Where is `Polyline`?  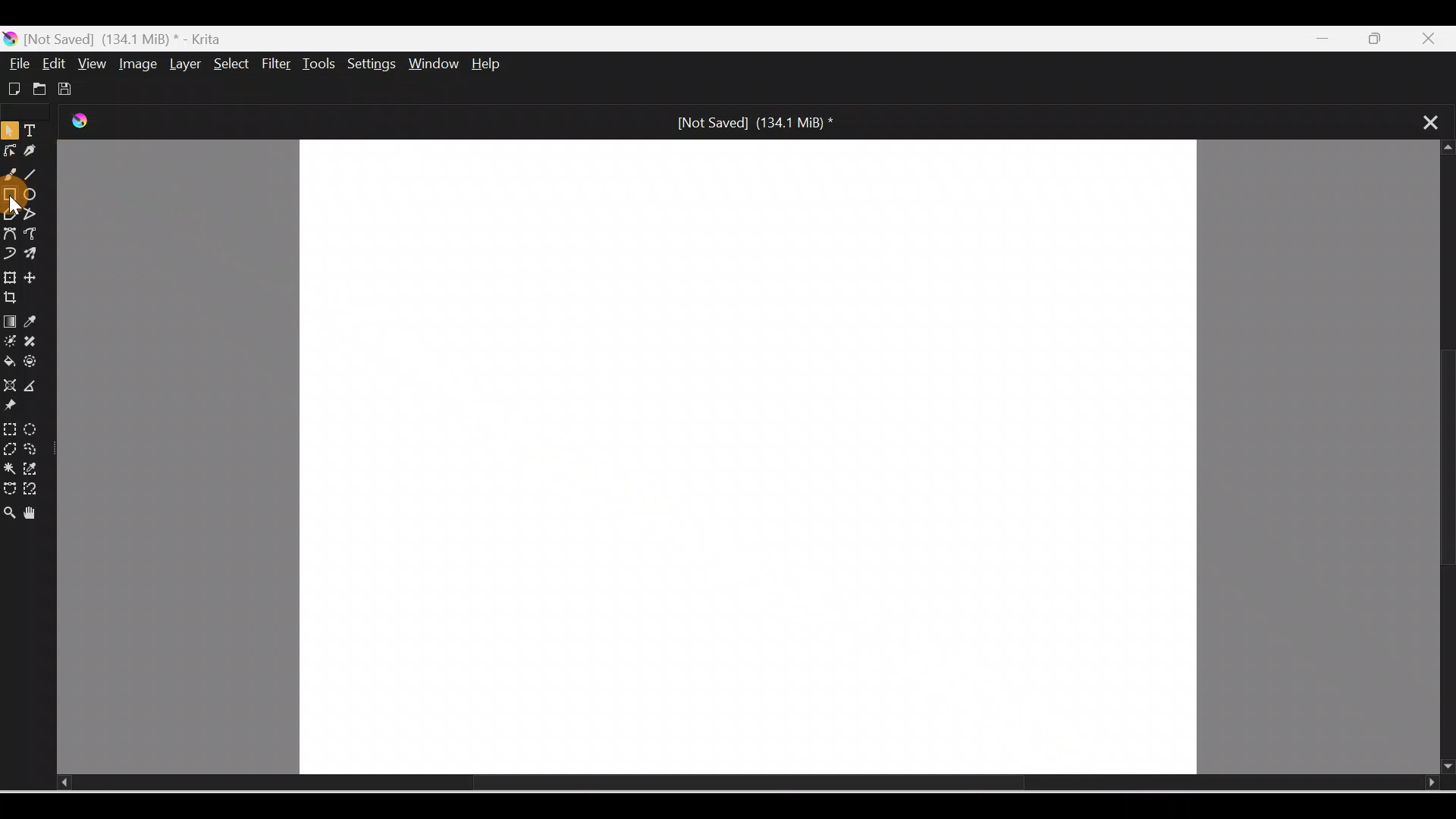
Polyline is located at coordinates (33, 213).